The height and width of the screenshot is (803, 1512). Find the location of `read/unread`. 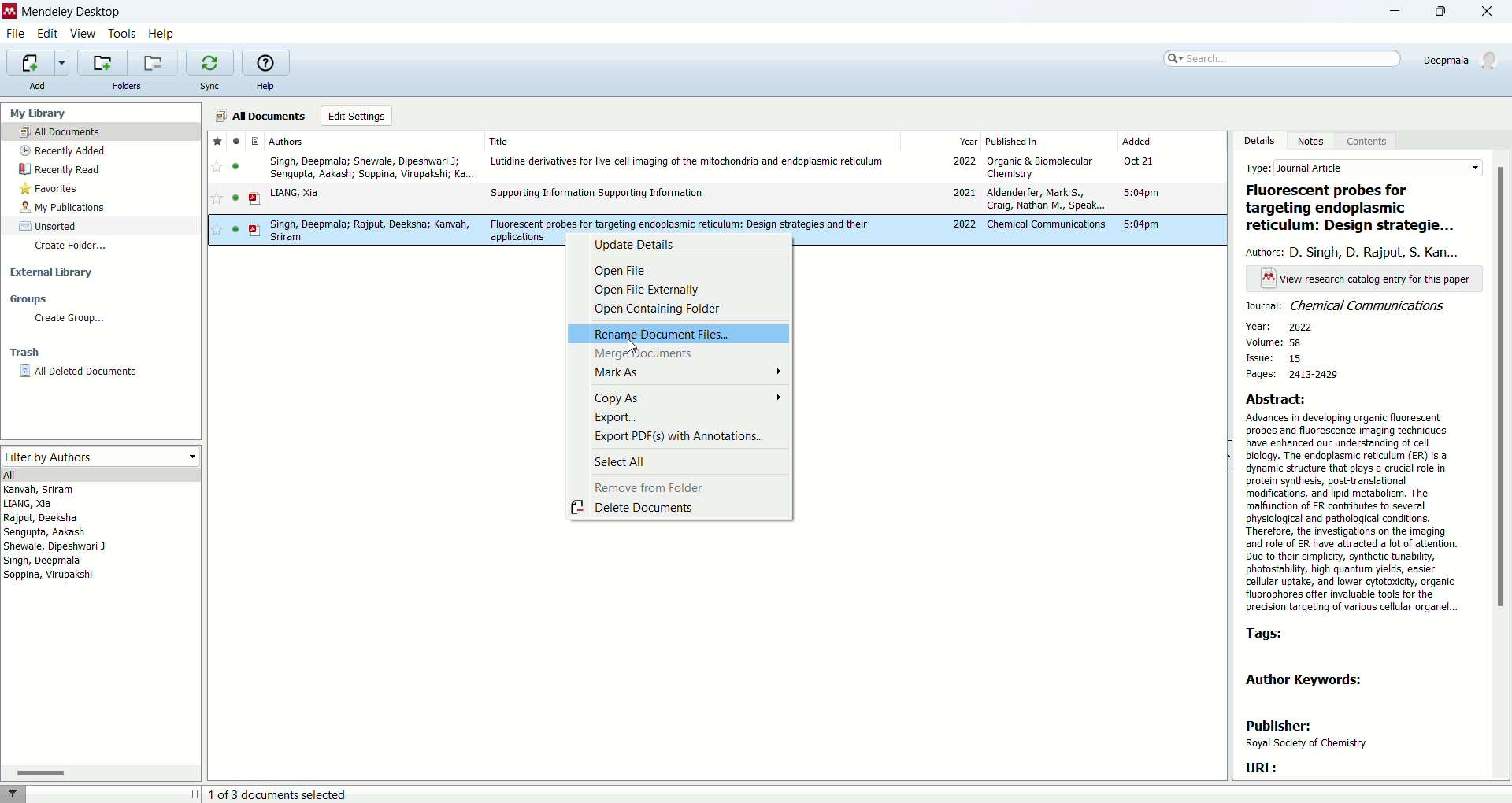

read/unread is located at coordinates (235, 140).